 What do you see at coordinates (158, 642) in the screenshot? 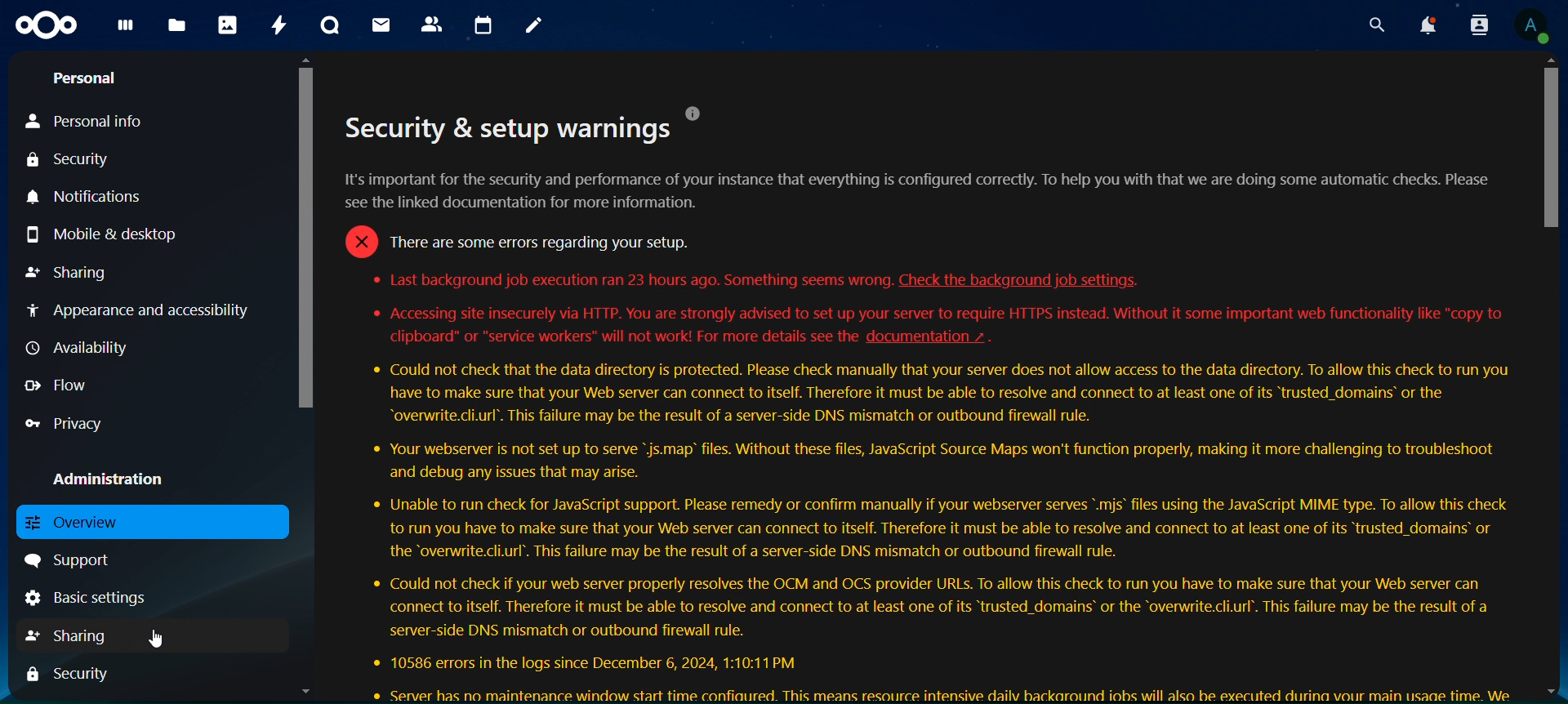
I see `Cursor` at bounding box center [158, 642].